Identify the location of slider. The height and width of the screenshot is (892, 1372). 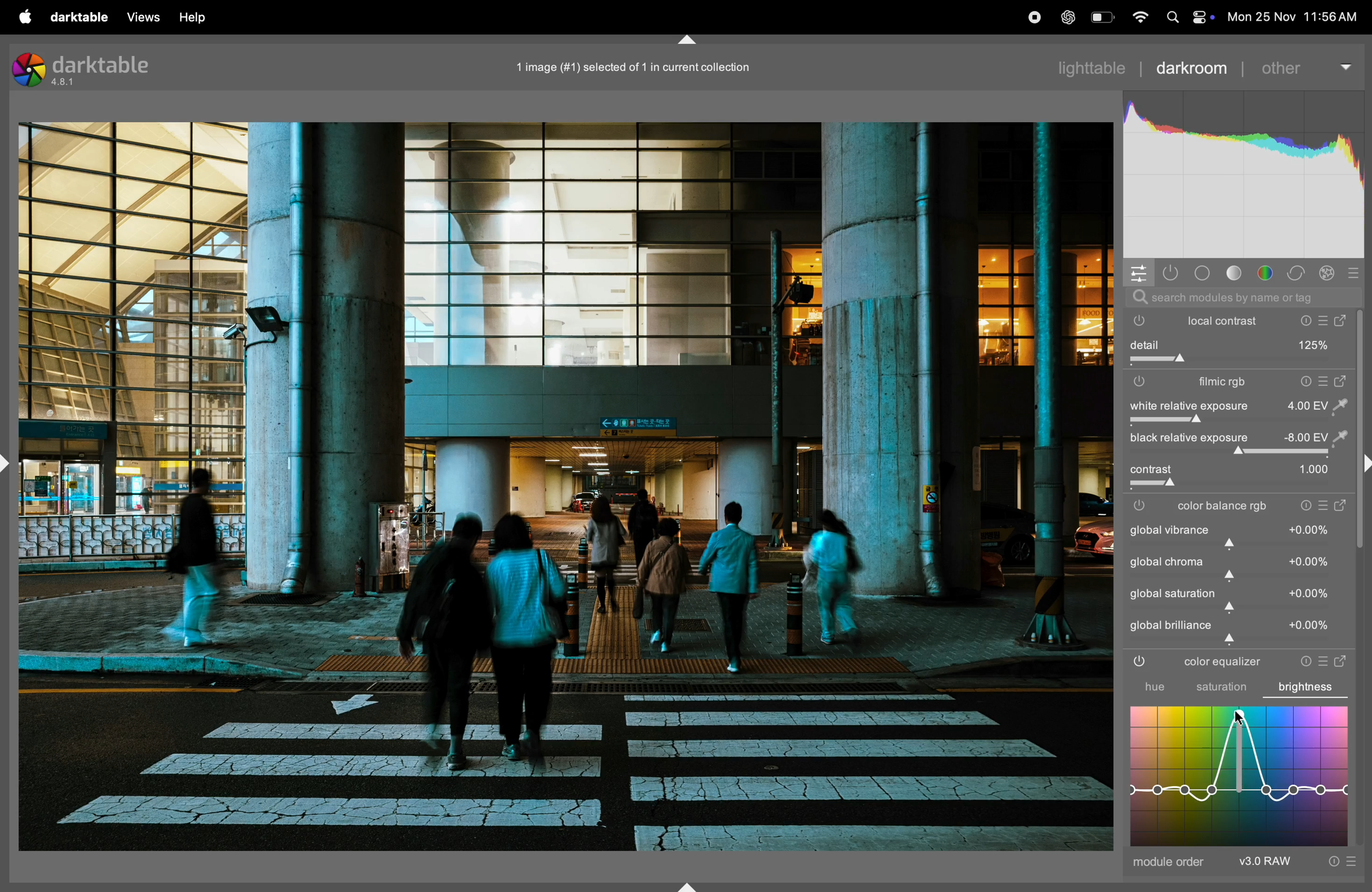
(1237, 609).